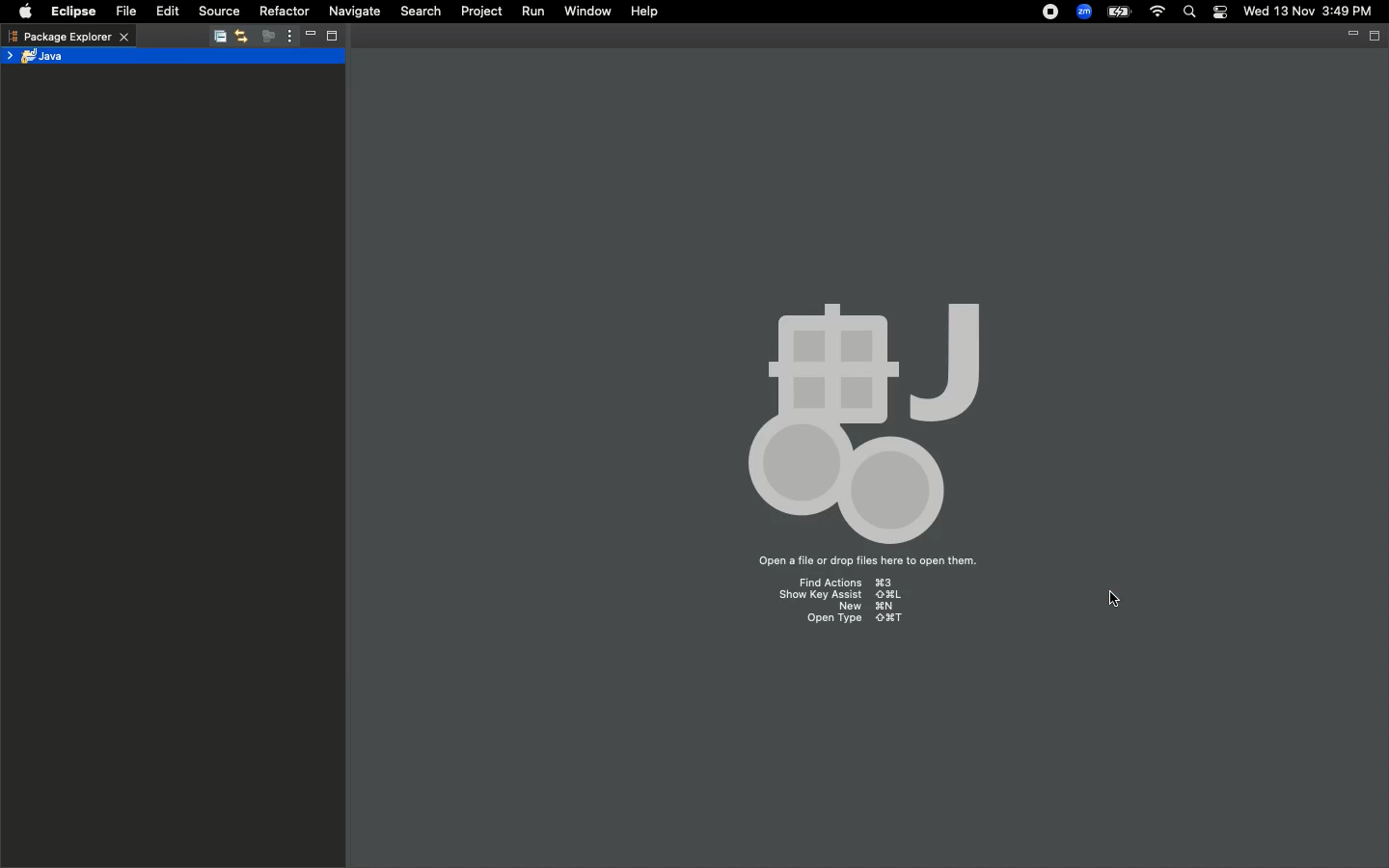 This screenshot has width=1389, height=868. I want to click on Minimize, so click(309, 37).